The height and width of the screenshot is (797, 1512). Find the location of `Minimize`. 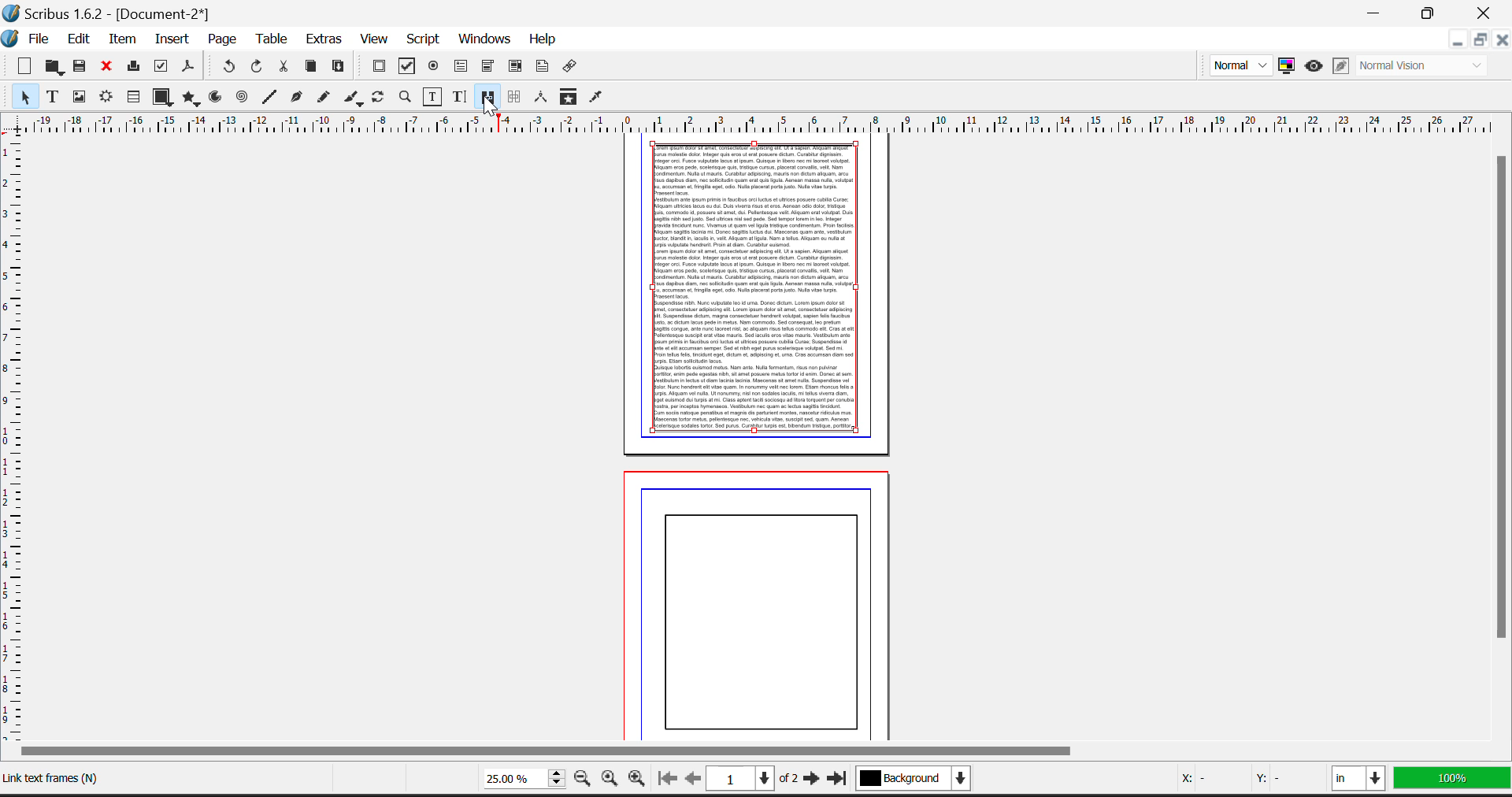

Minimize is located at coordinates (1431, 11).